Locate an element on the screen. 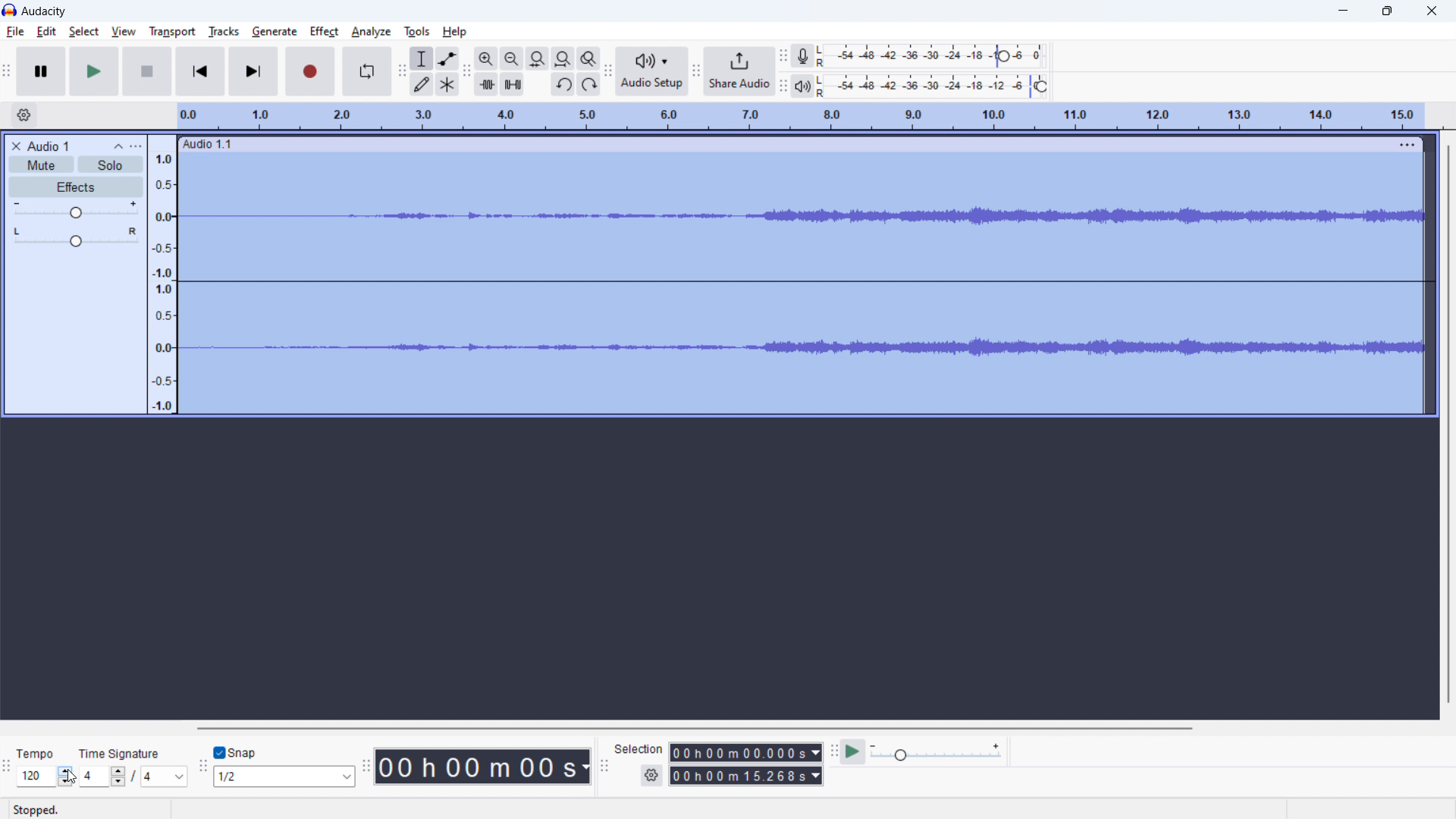 This screenshot has width=1456, height=819. volume is located at coordinates (74, 209).